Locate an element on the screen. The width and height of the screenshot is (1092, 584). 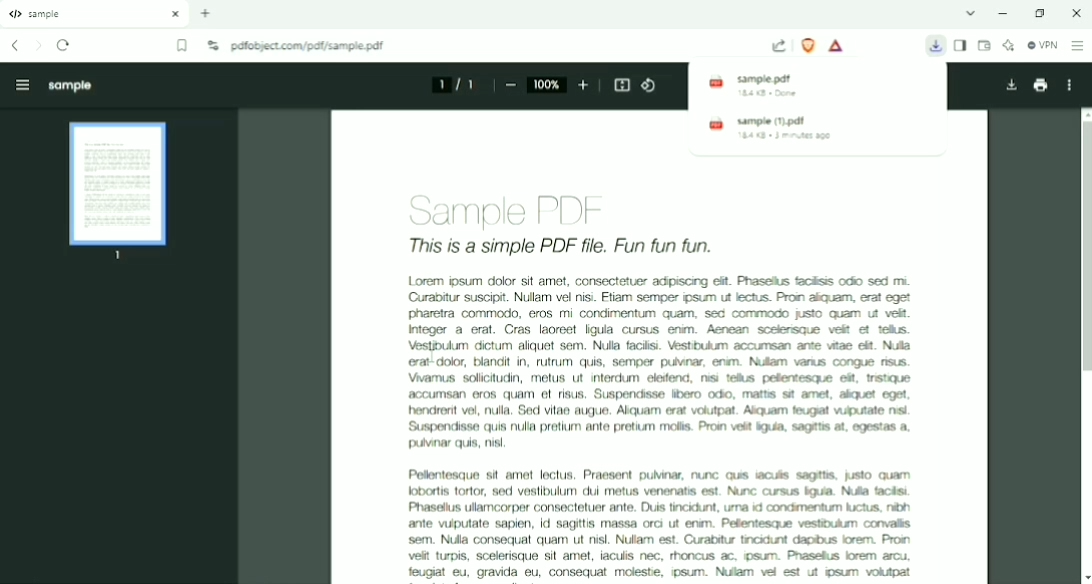
Close is located at coordinates (1074, 13).